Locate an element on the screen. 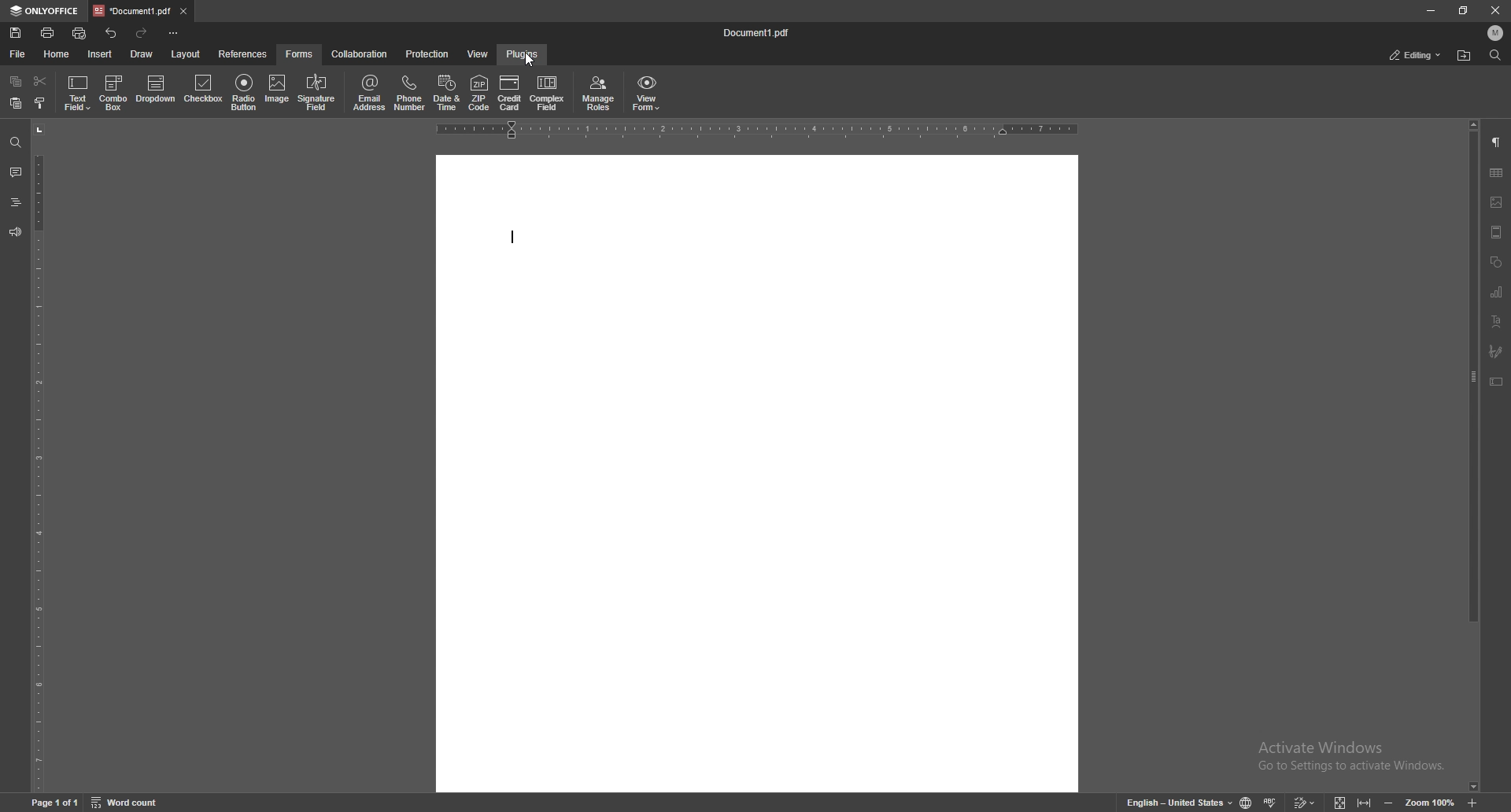 This screenshot has height=812, width=1511. page is located at coordinates (54, 803).